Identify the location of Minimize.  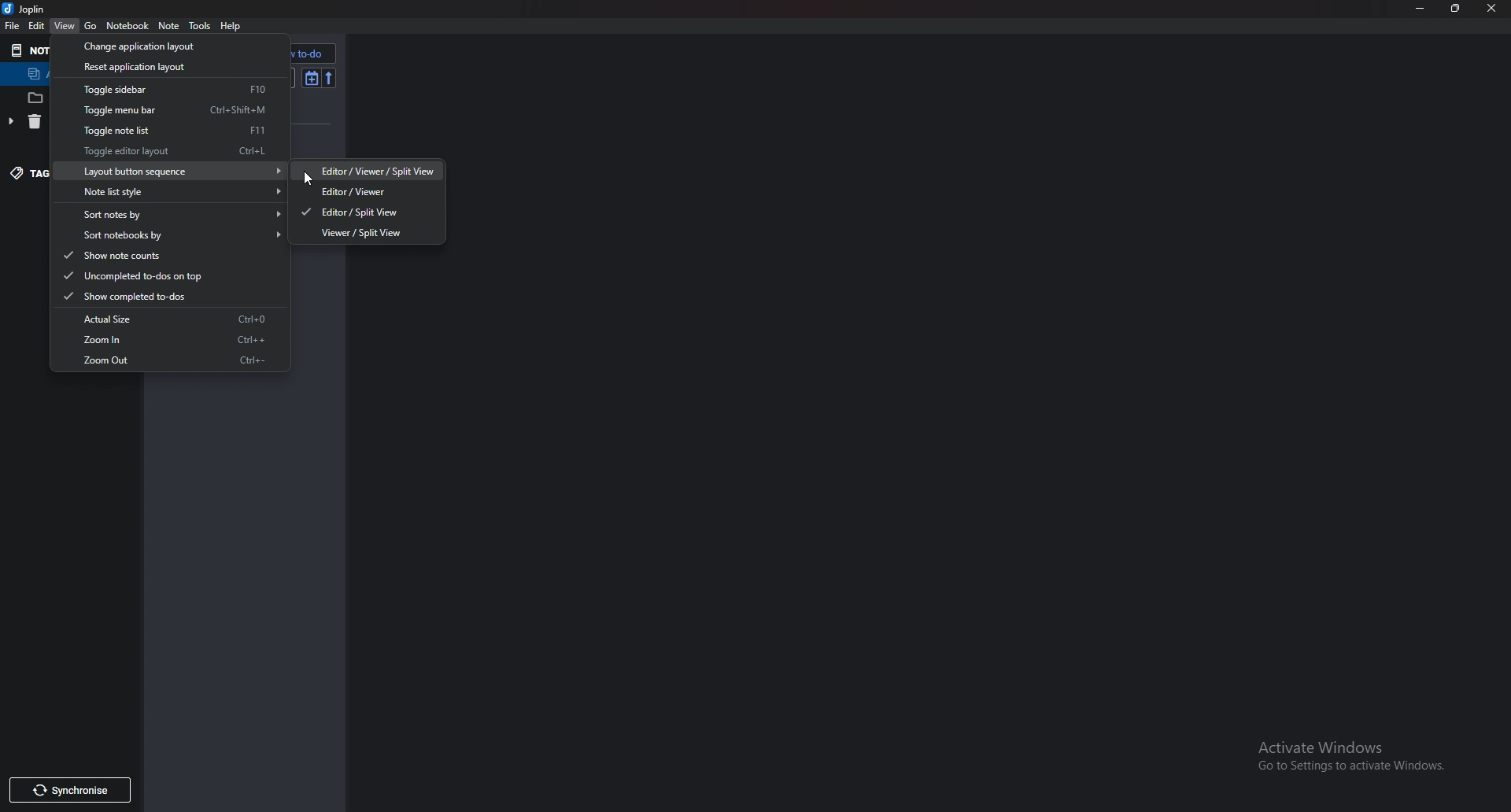
(1418, 8).